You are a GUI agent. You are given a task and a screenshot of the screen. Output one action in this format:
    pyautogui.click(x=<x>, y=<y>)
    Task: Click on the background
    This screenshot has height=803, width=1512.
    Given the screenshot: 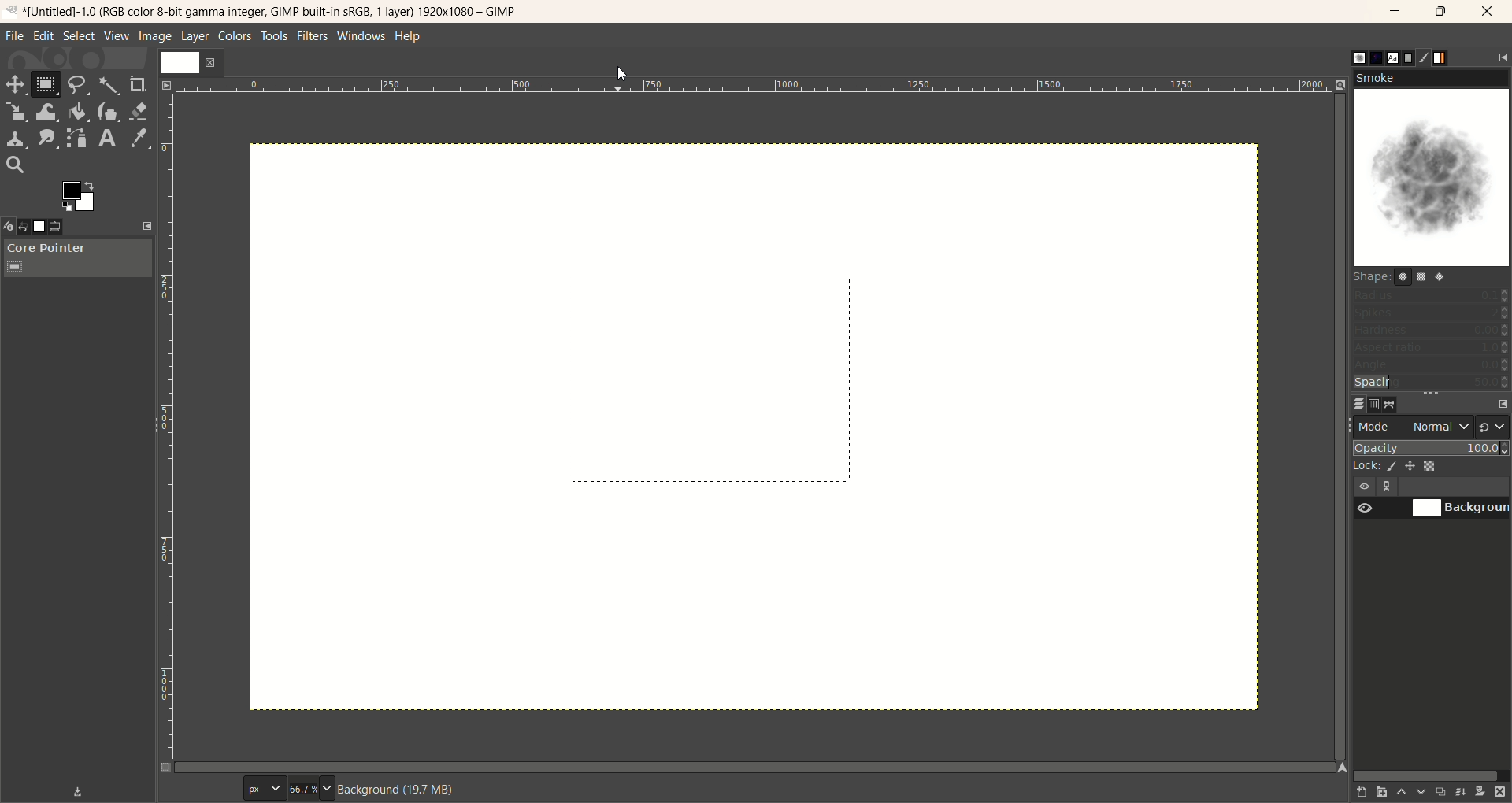 What is the action you would take?
    pyautogui.click(x=1460, y=509)
    